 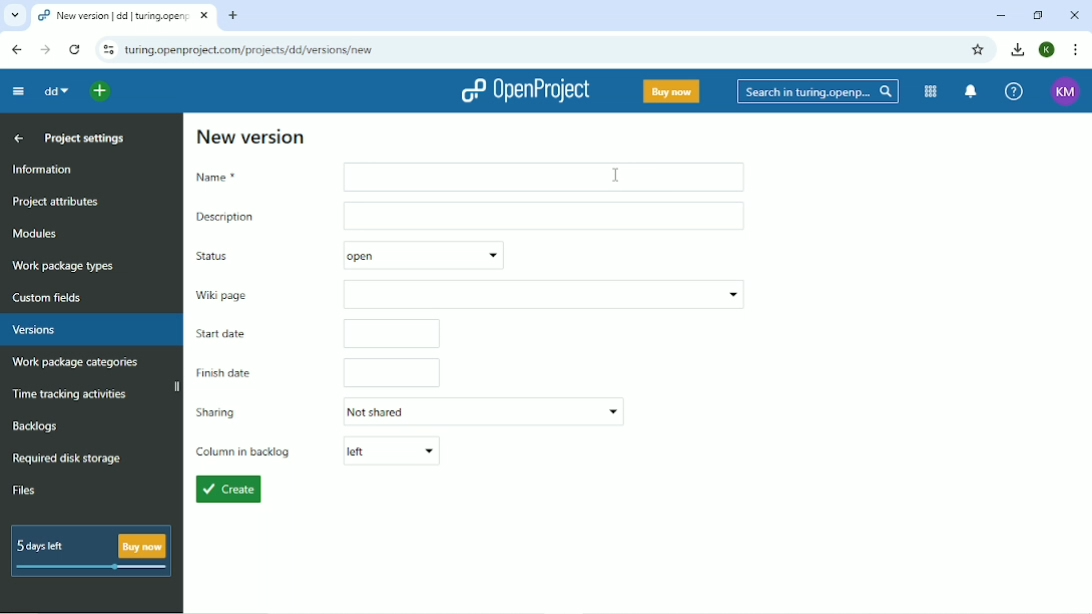 What do you see at coordinates (53, 299) in the screenshot?
I see `Custom fields` at bounding box center [53, 299].